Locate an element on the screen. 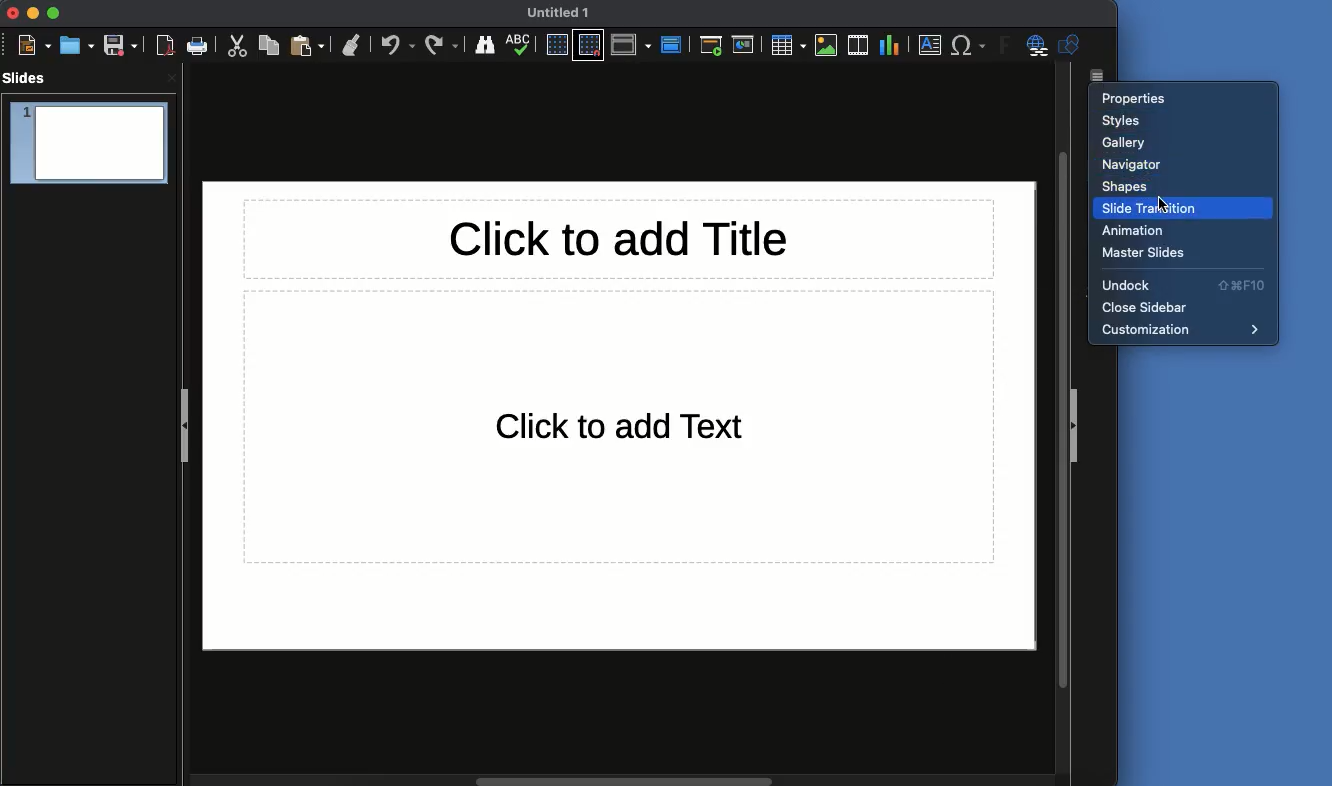 This screenshot has height=786, width=1332. Snap to grid is located at coordinates (589, 45).